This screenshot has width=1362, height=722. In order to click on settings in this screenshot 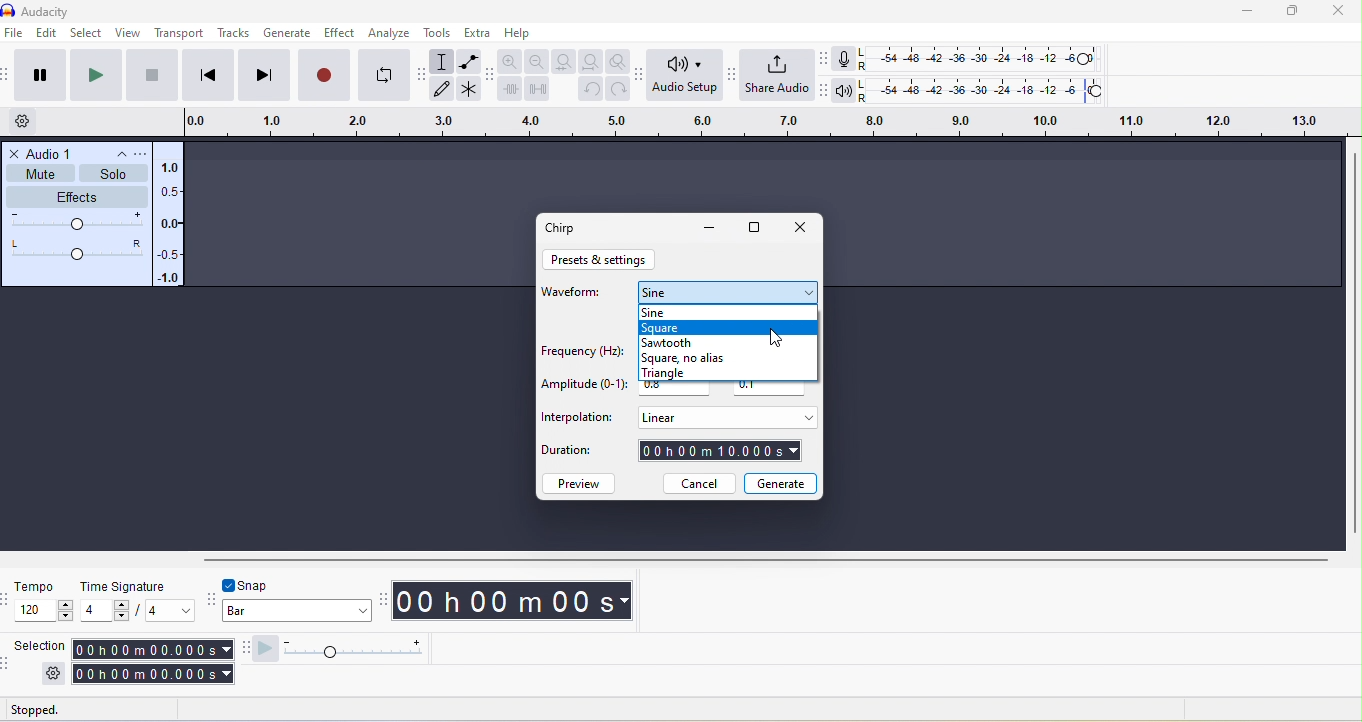, I will do `click(53, 673)`.